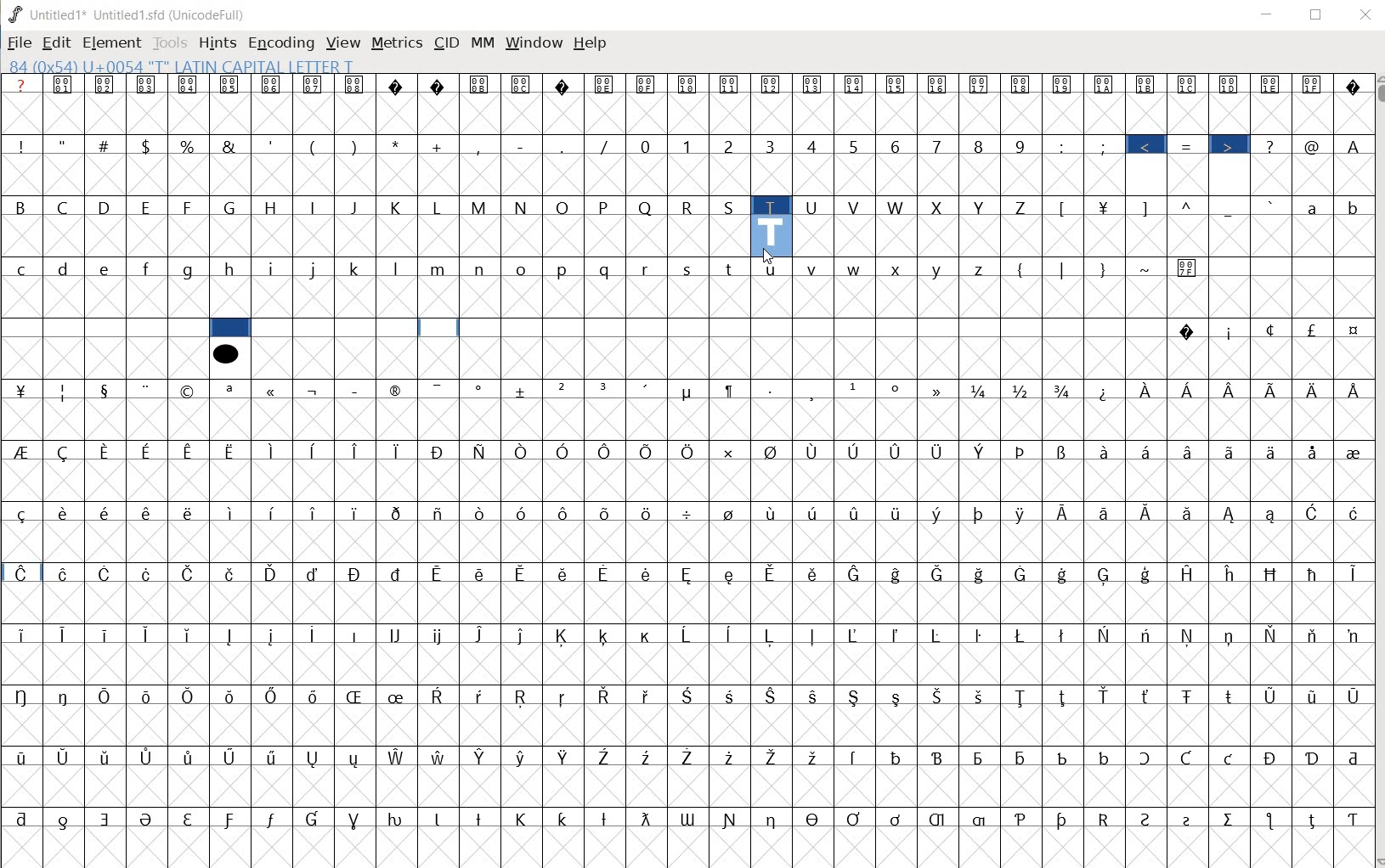 This screenshot has height=868, width=1385. What do you see at coordinates (232, 512) in the screenshot?
I see `Symbol` at bounding box center [232, 512].